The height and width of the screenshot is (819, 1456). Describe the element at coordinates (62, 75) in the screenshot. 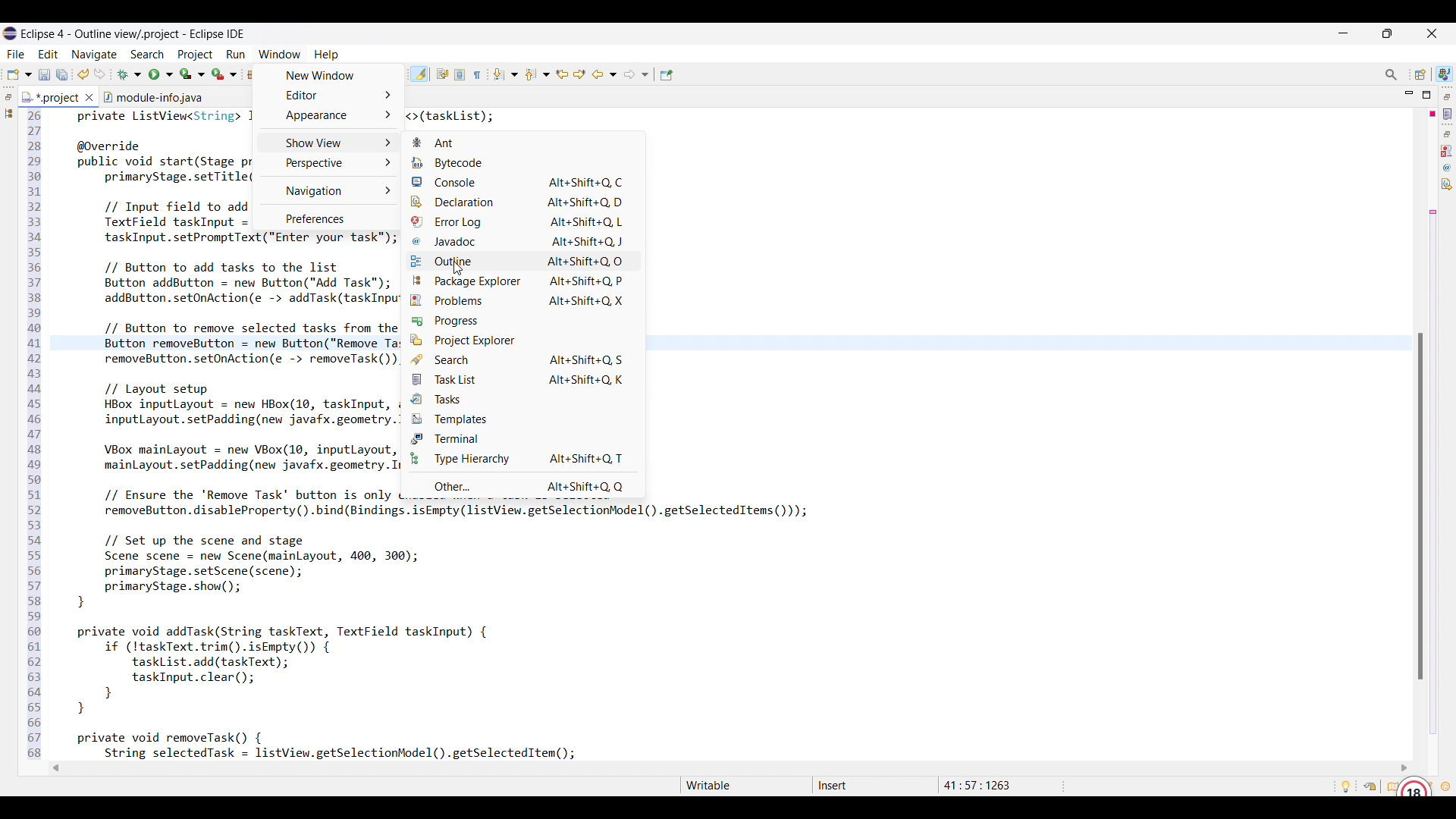

I see `Save all` at that location.